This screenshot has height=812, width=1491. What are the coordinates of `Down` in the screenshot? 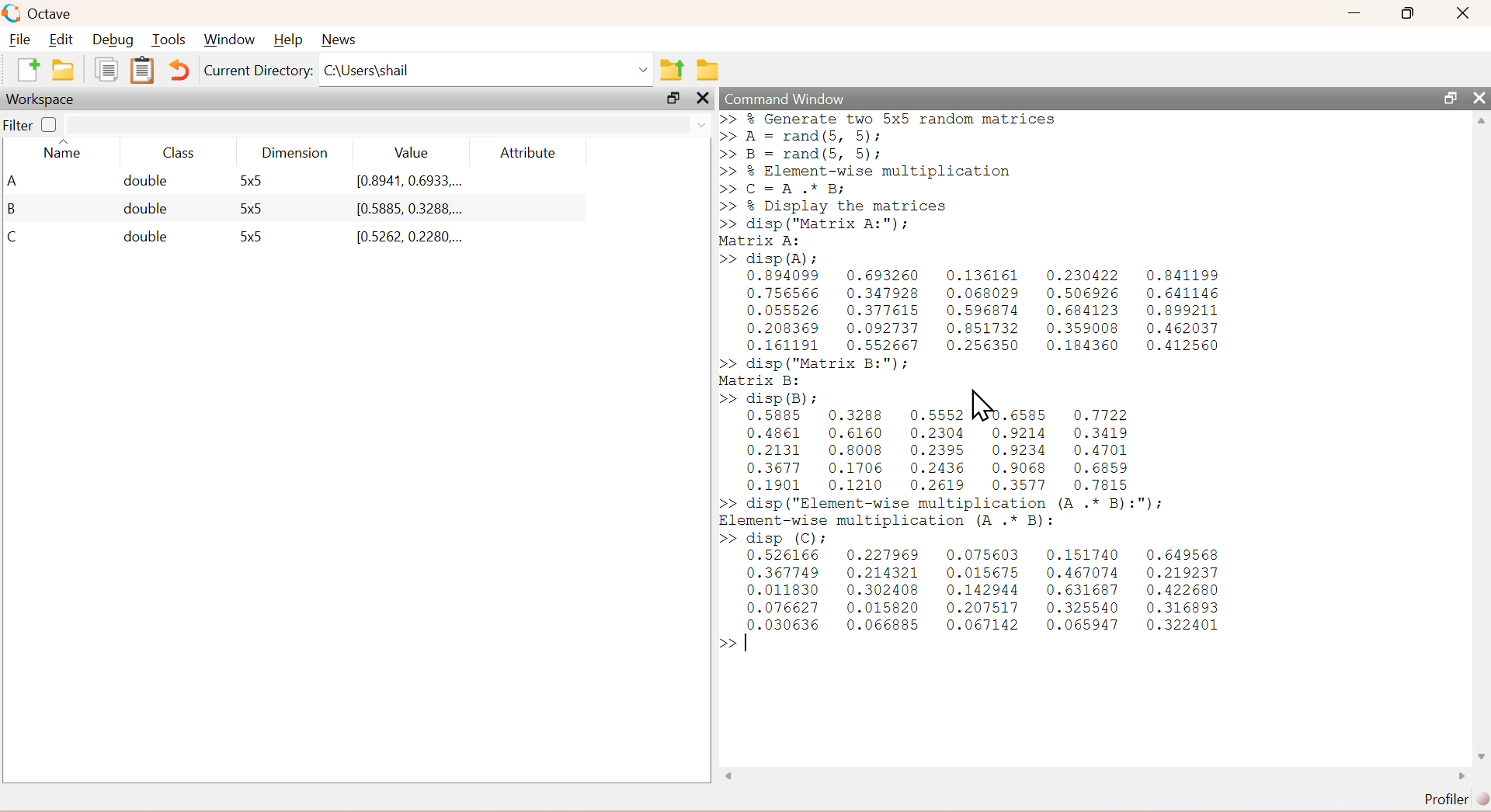 It's located at (1482, 749).